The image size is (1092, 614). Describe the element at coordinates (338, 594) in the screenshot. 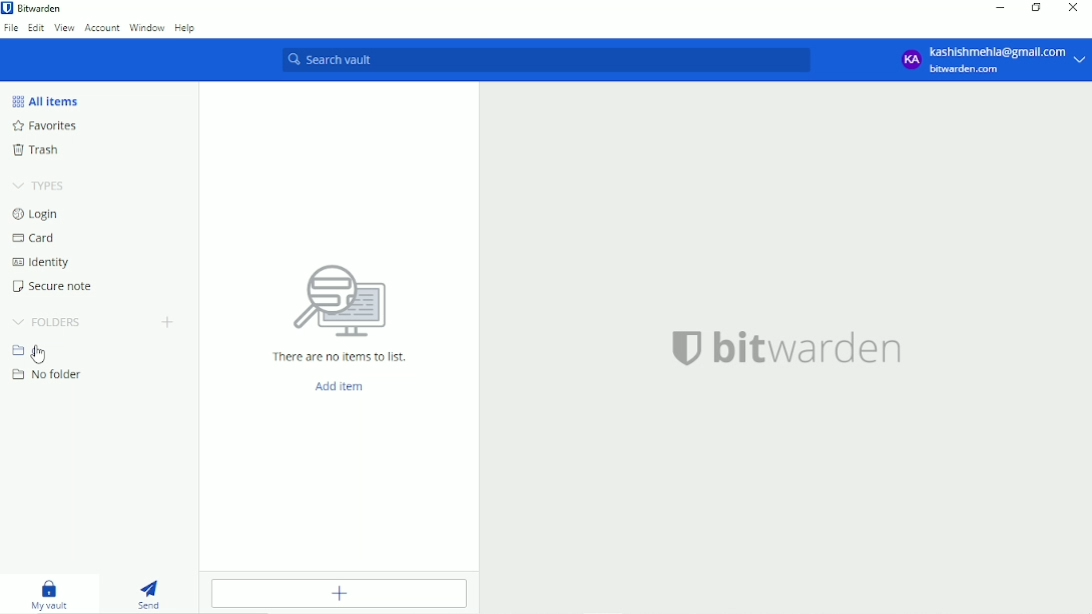

I see `Add item` at that location.